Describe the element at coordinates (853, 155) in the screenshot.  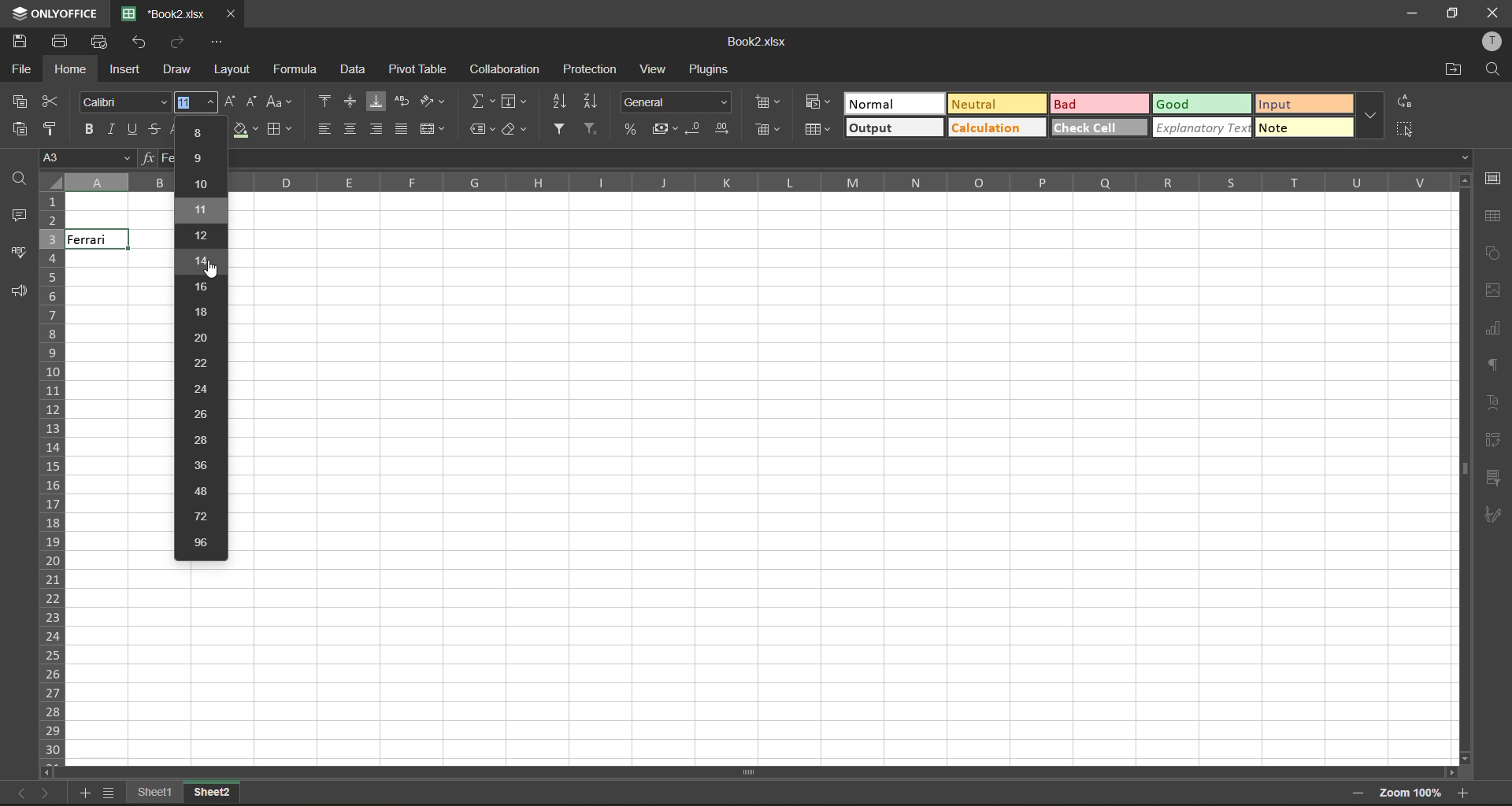
I see `formula bar` at that location.